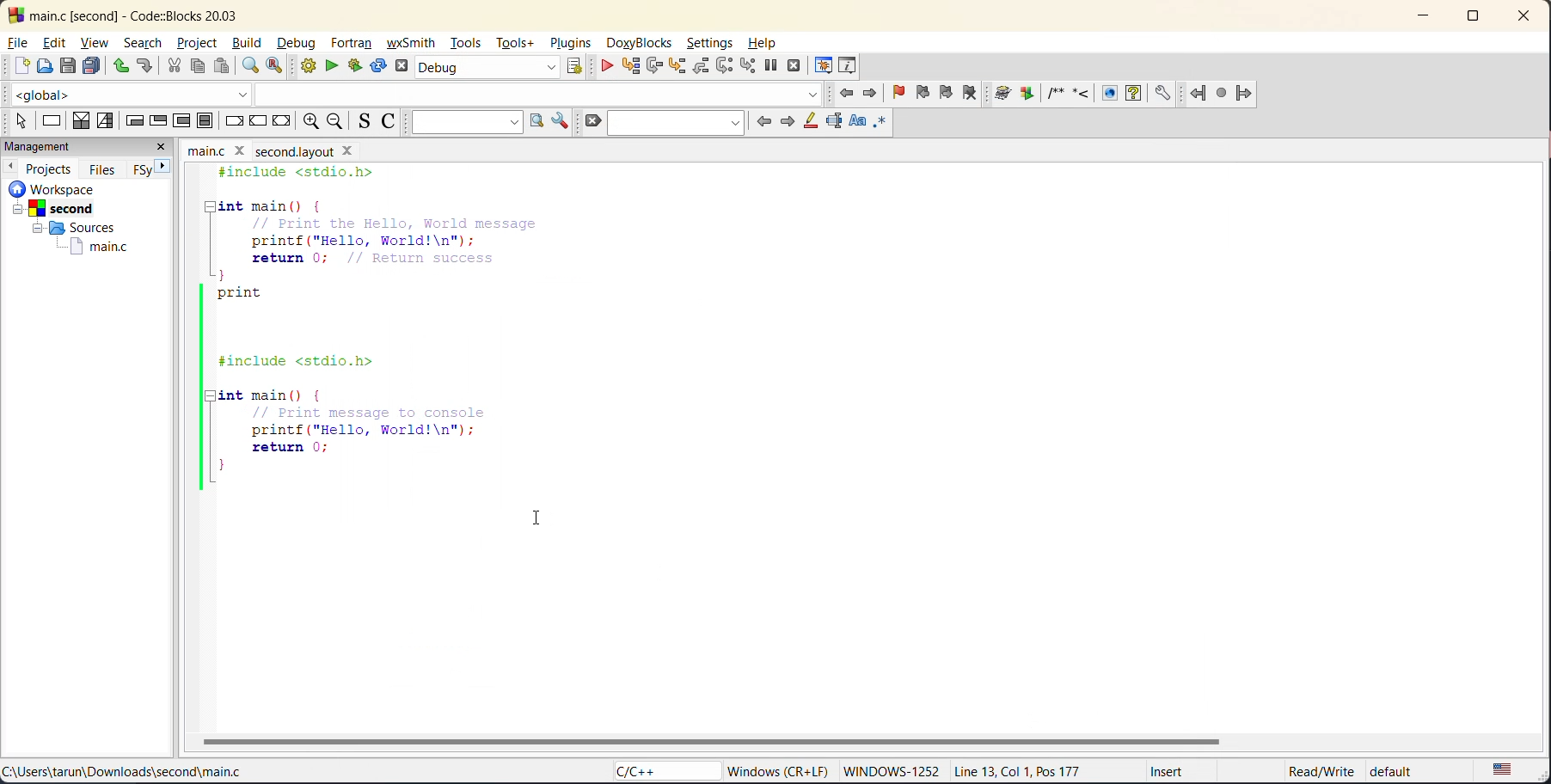  What do you see at coordinates (750, 65) in the screenshot?
I see `step into instruction` at bounding box center [750, 65].